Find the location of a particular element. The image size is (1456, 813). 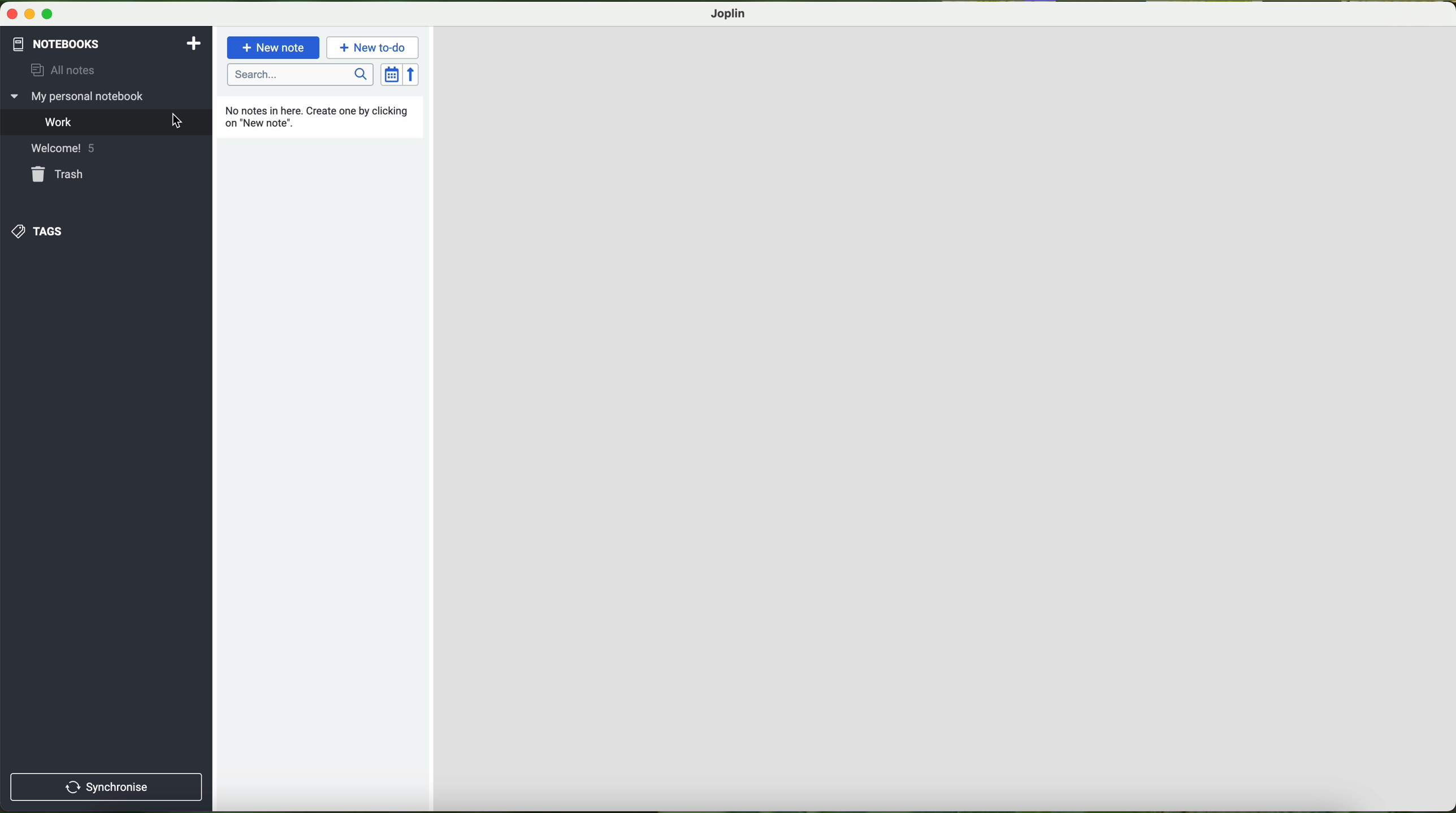

pointer on the notebooks button is located at coordinates (75, 44).